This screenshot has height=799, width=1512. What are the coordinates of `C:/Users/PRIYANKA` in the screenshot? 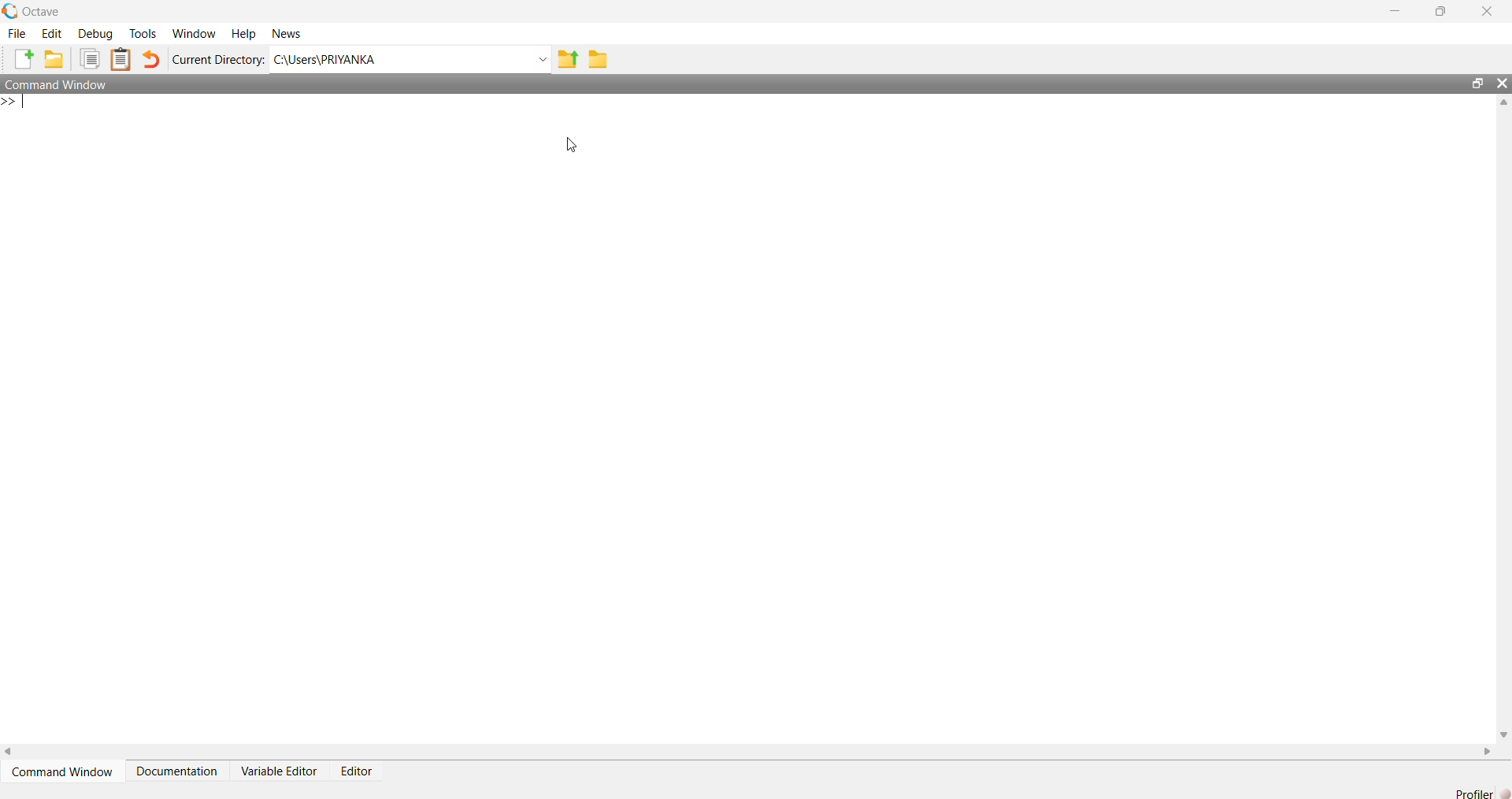 It's located at (401, 58).